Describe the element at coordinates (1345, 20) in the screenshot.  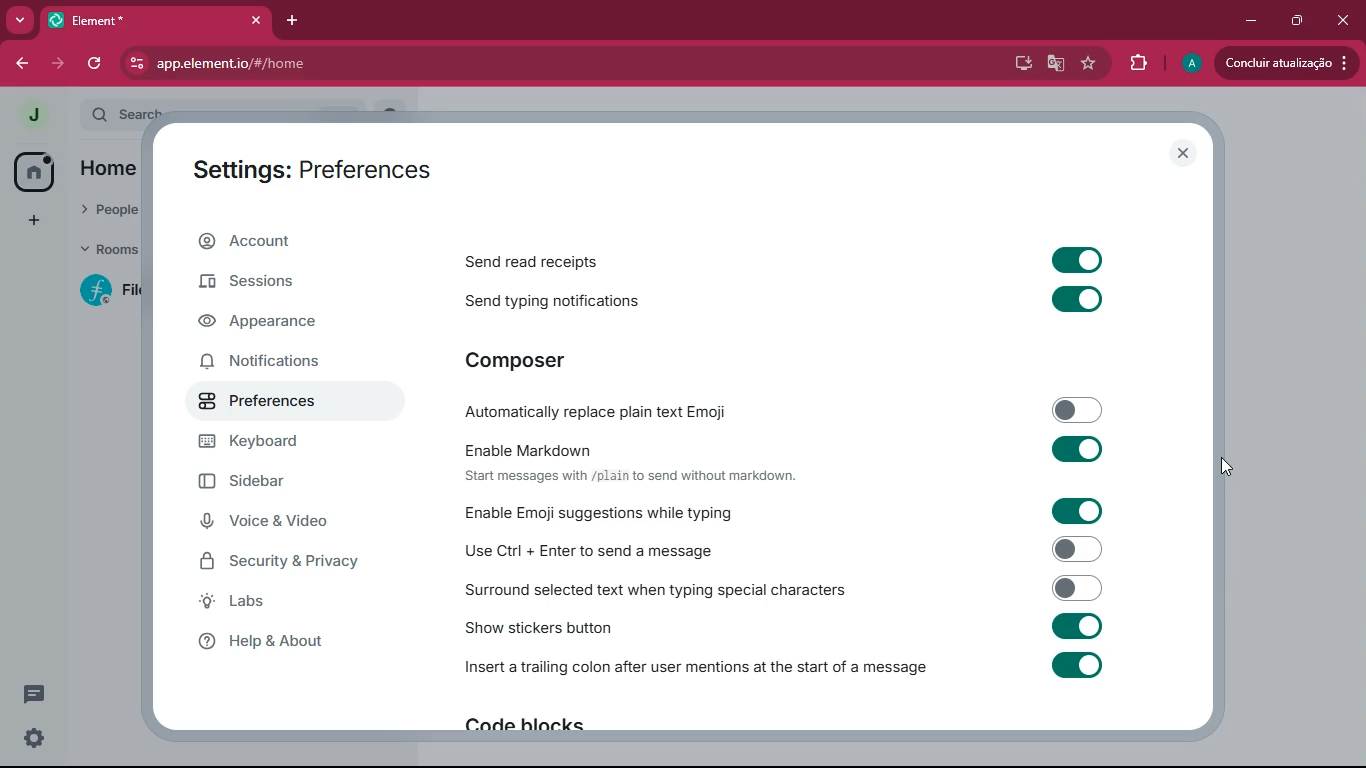
I see `close` at that location.